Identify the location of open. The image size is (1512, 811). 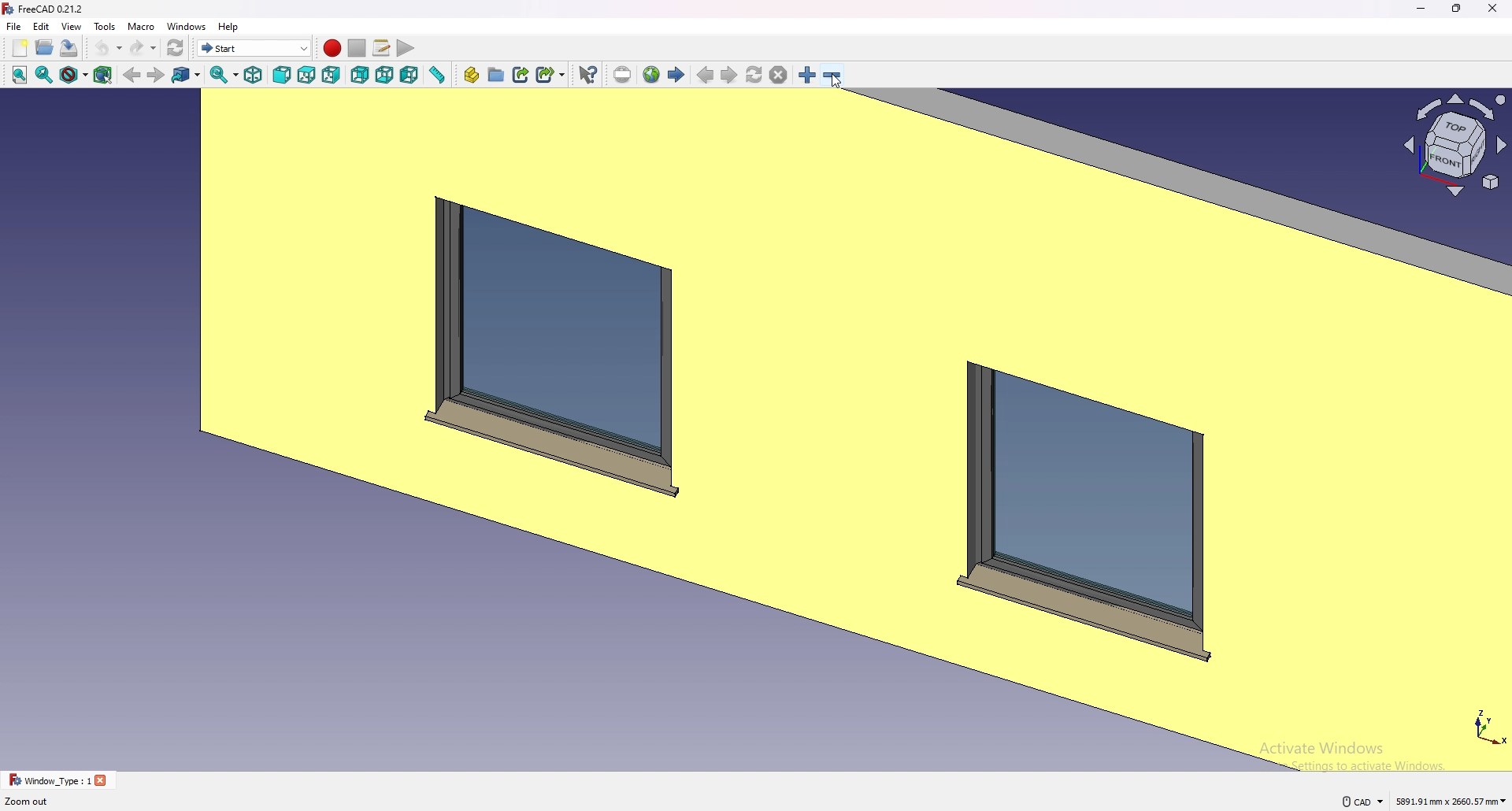
(44, 48).